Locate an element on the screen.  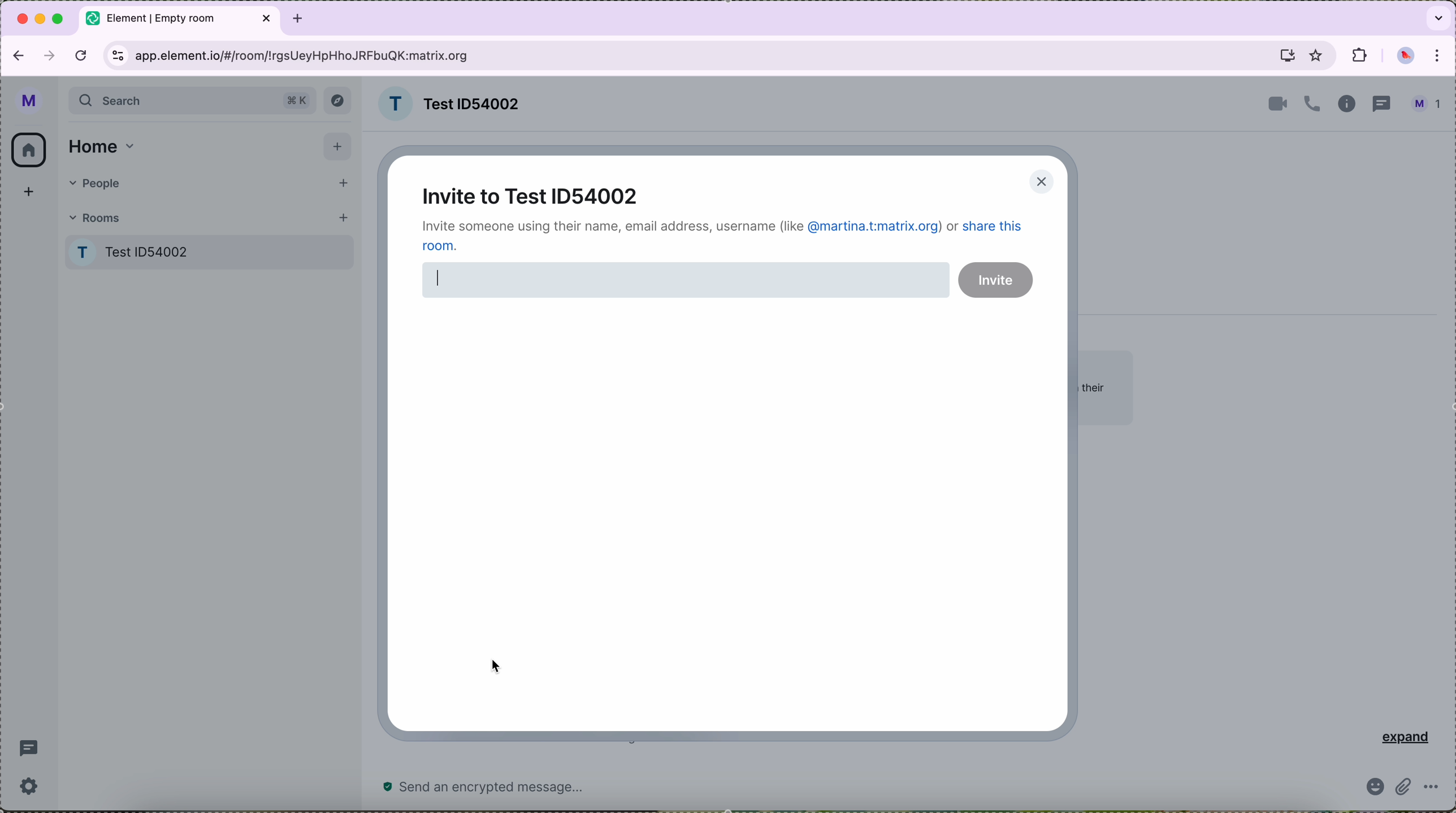
information is located at coordinates (1346, 105).